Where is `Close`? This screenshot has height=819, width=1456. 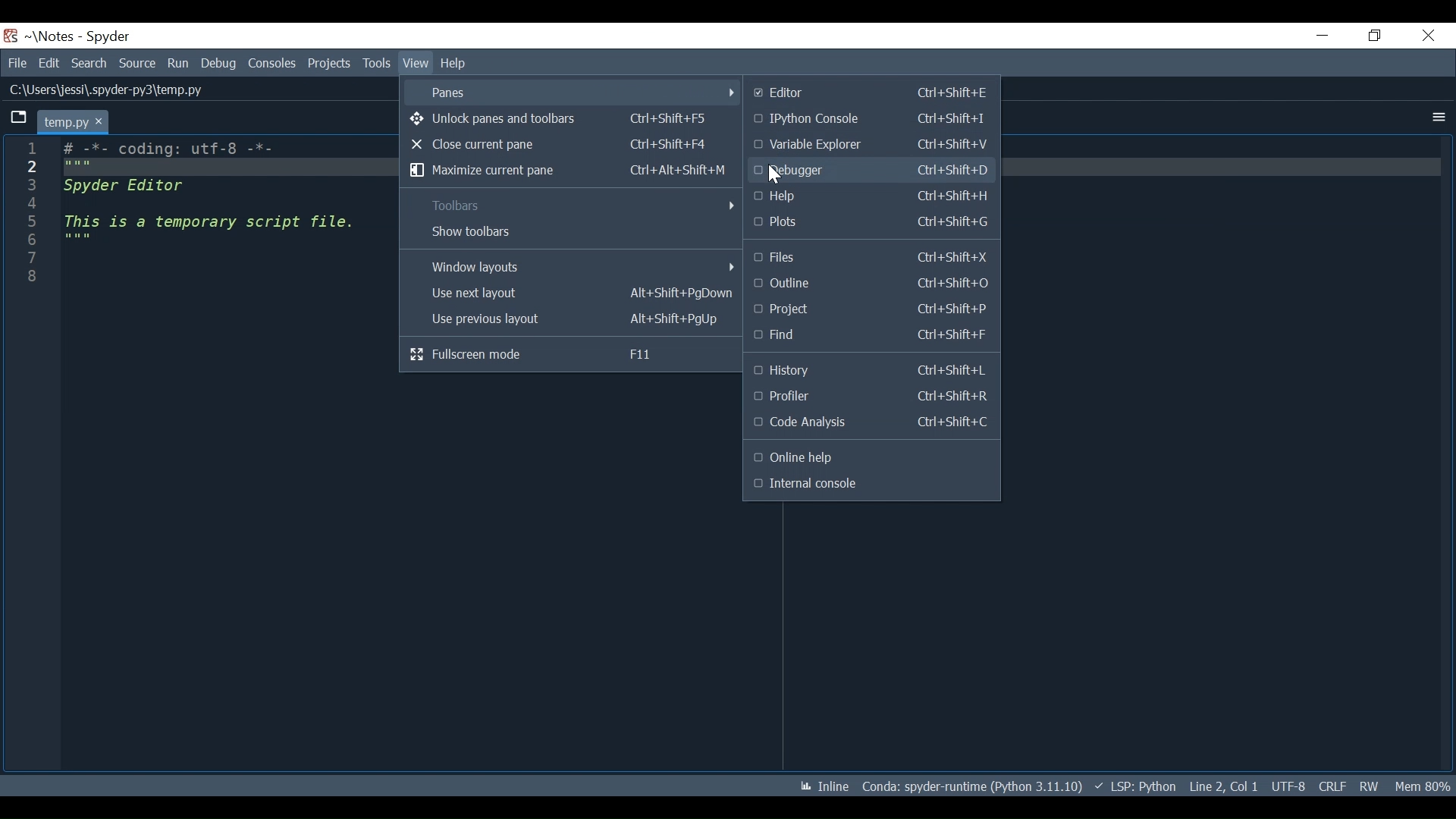
Close is located at coordinates (1425, 37).